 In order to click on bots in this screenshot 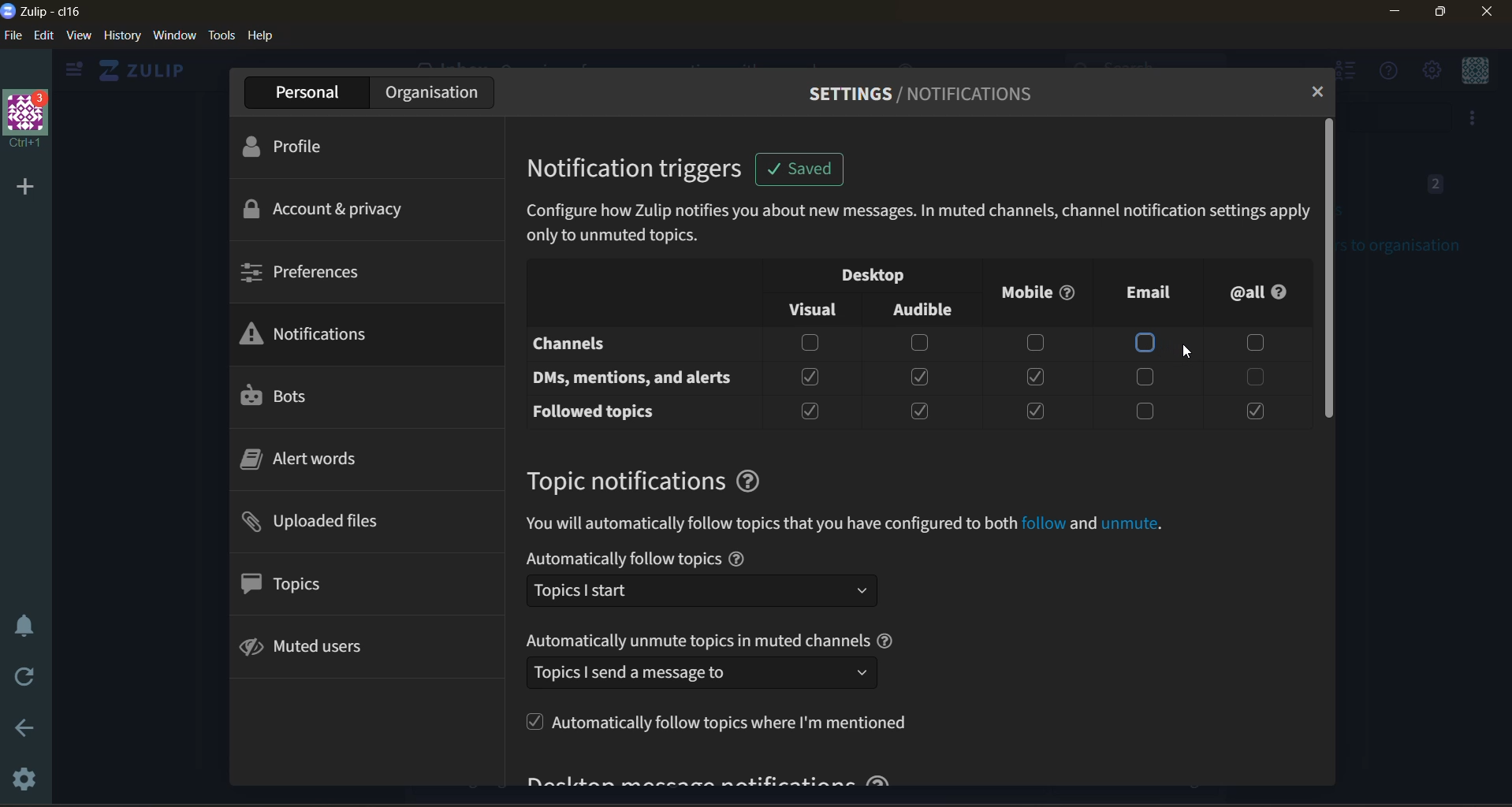, I will do `click(281, 396)`.